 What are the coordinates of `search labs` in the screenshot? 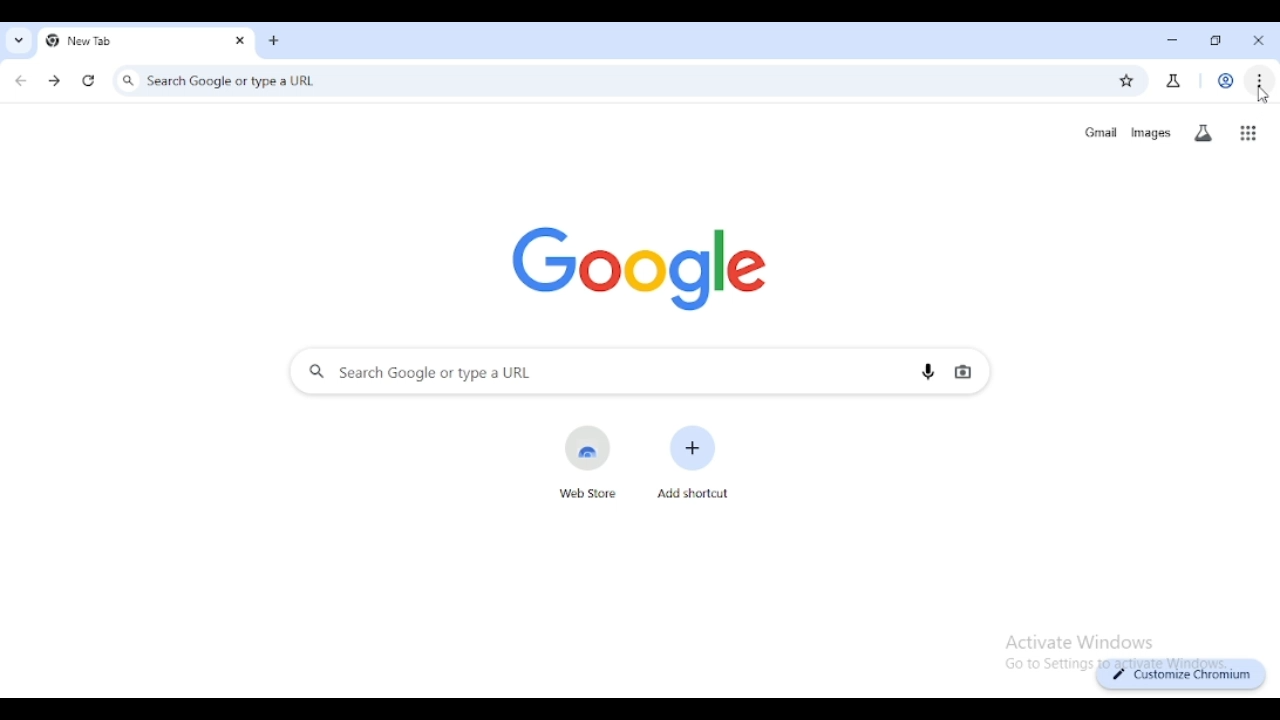 It's located at (1172, 82).